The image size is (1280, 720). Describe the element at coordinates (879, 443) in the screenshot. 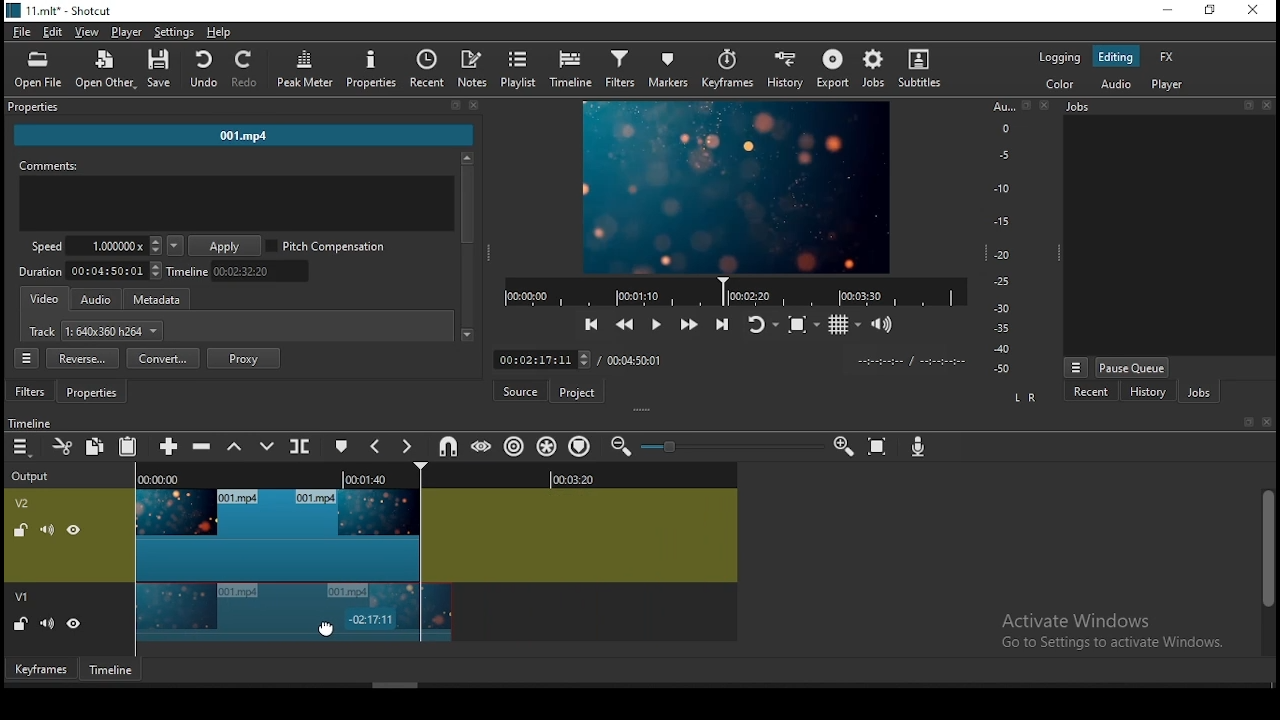

I see `zoom timeline to fit` at that location.